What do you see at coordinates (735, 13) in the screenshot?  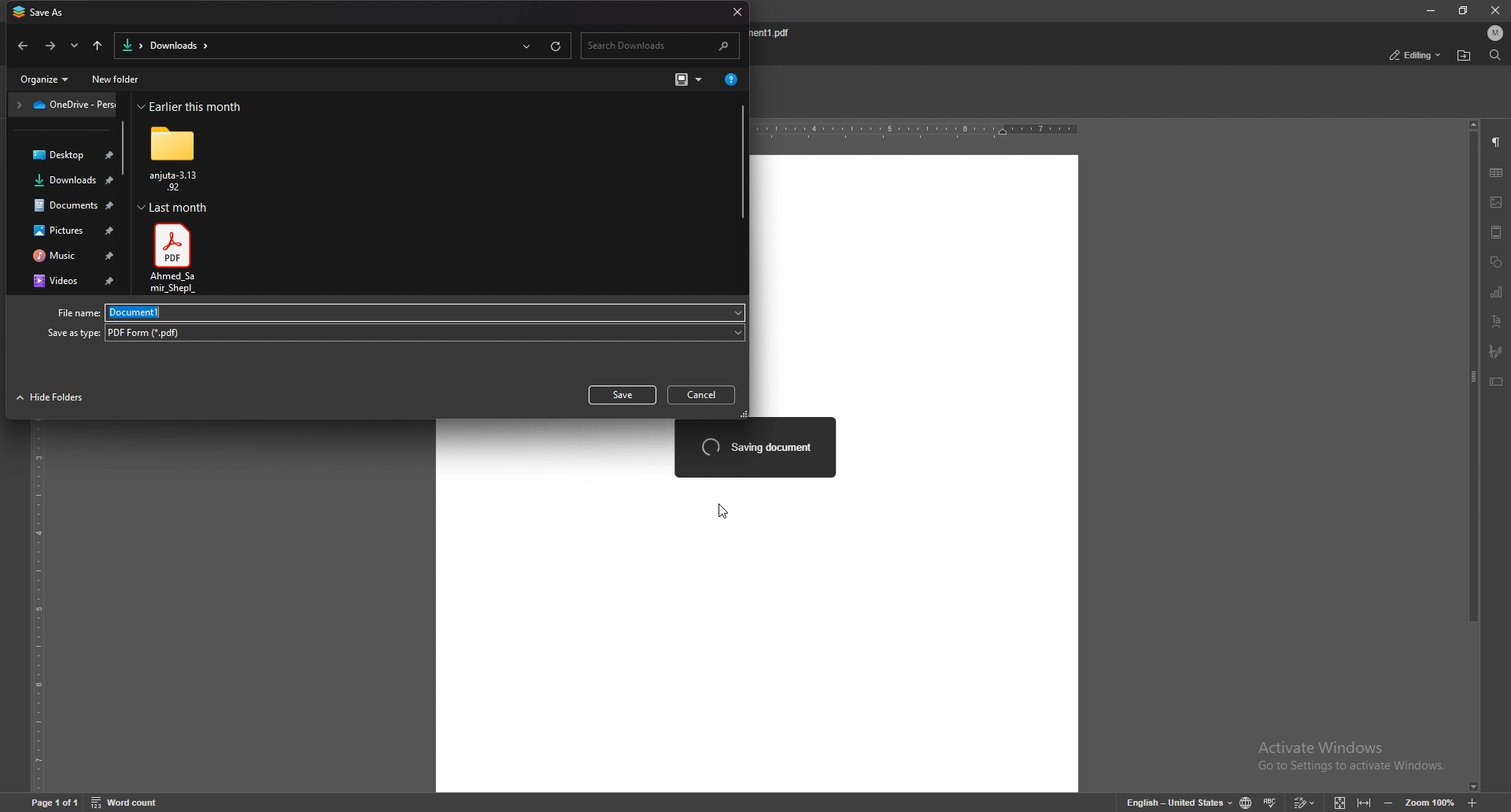 I see `close` at bounding box center [735, 13].